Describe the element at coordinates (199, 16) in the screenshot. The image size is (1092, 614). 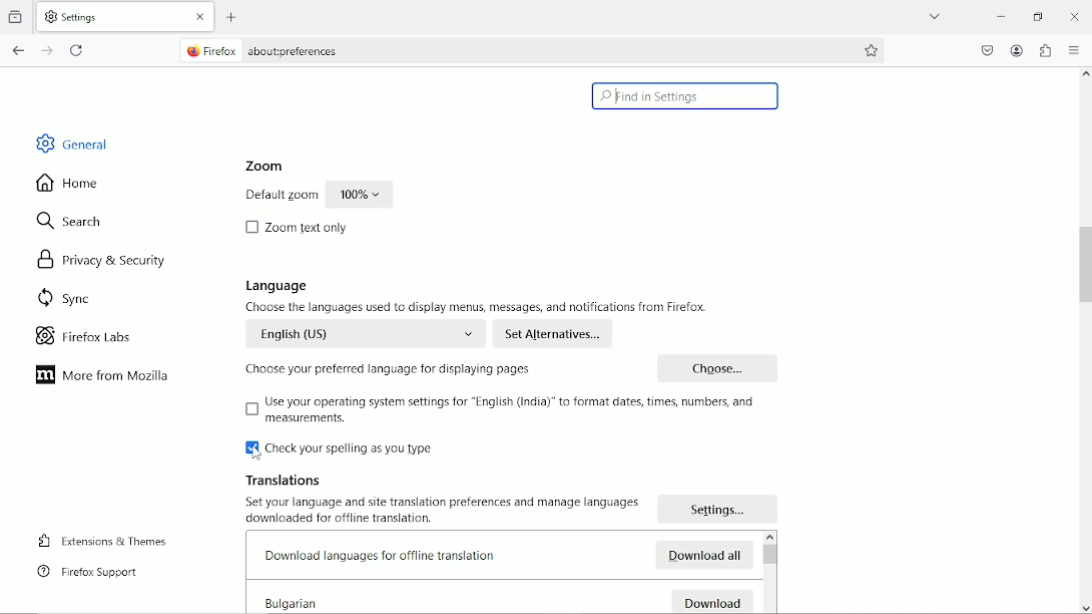
I see `close` at that location.